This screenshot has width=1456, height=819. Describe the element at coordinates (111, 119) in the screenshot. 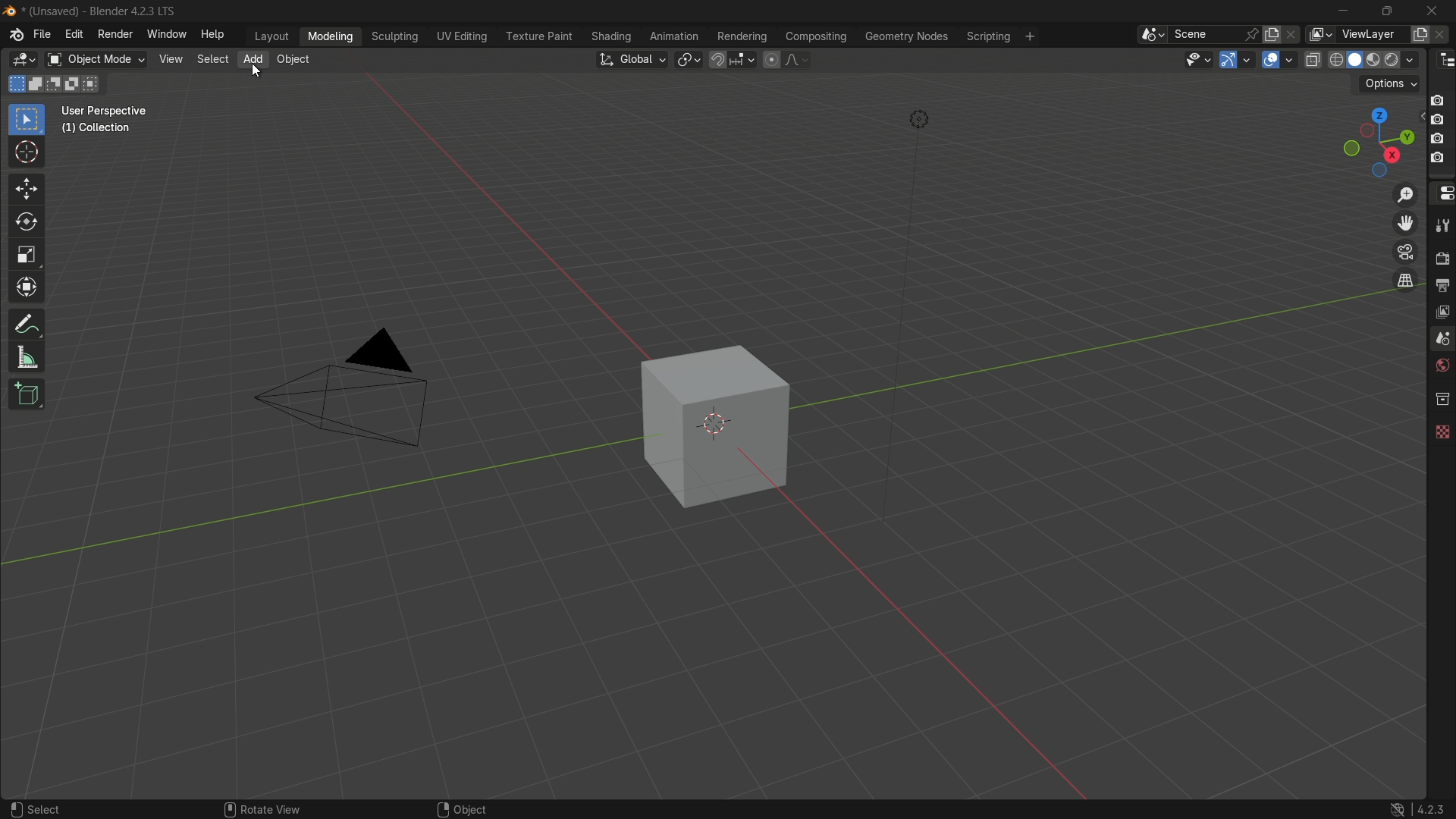

I see `User Perspective (1) Collection` at that location.